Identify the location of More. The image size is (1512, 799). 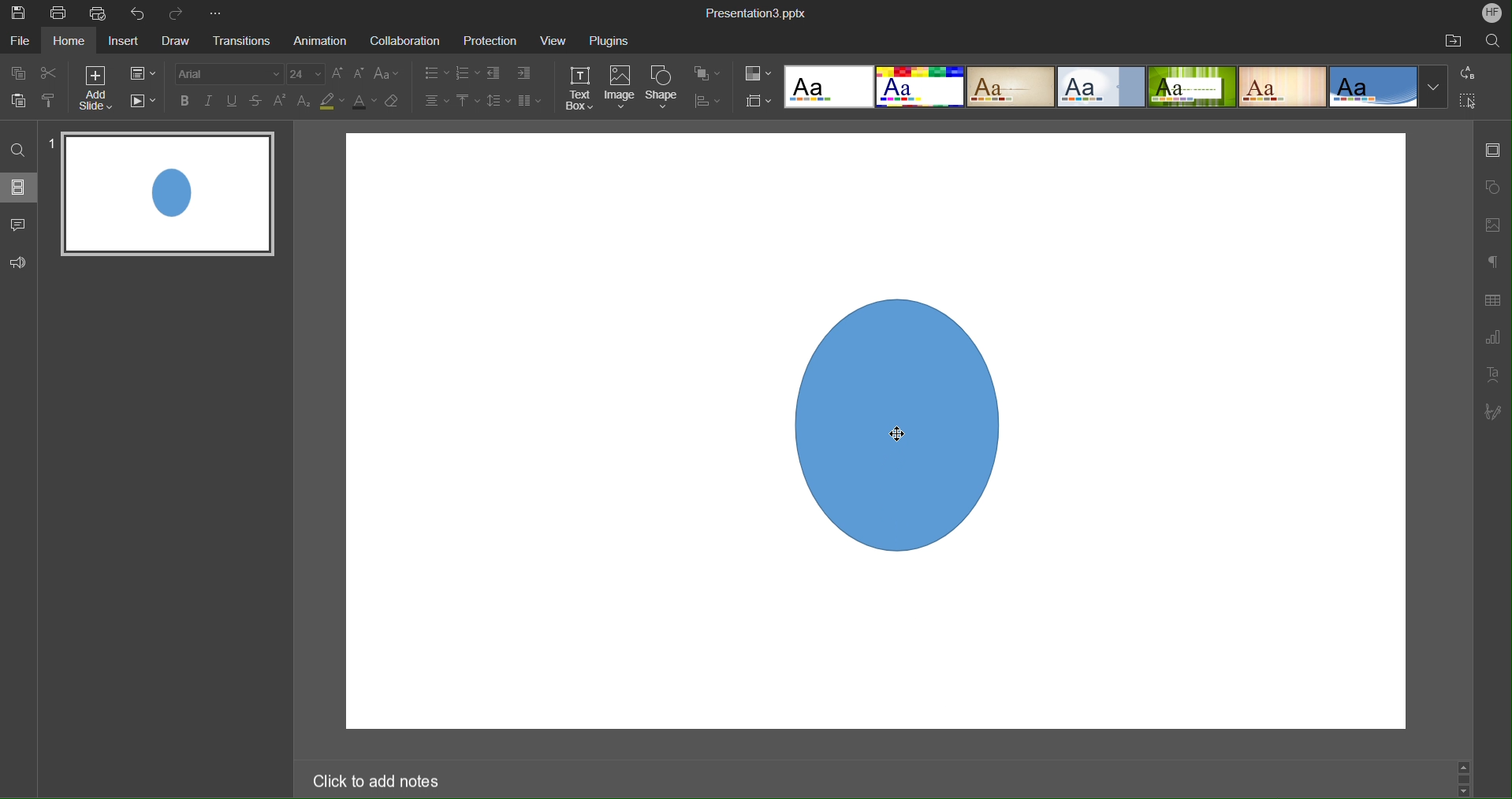
(215, 11).